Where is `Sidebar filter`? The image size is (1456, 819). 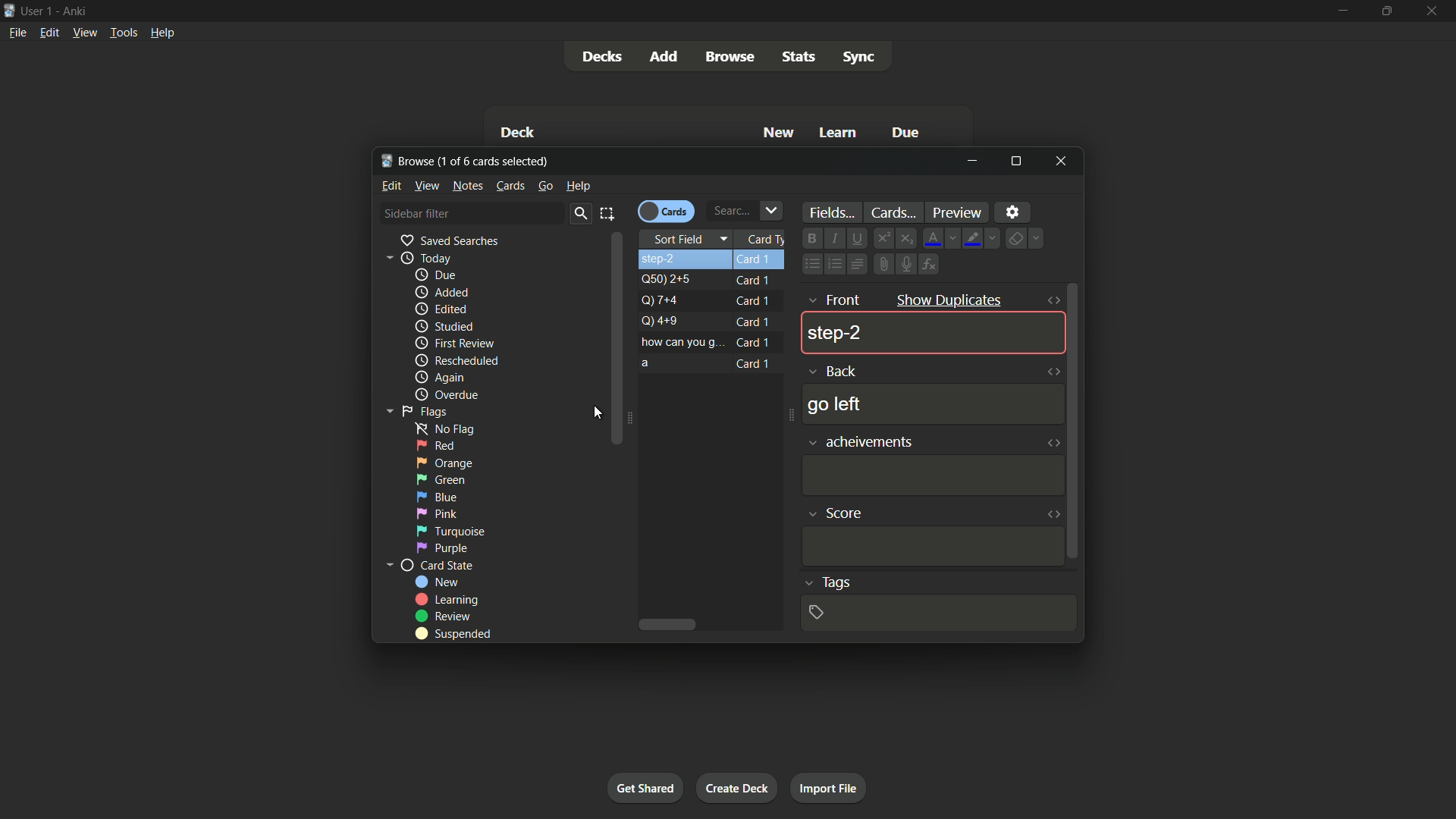 Sidebar filter is located at coordinates (416, 213).